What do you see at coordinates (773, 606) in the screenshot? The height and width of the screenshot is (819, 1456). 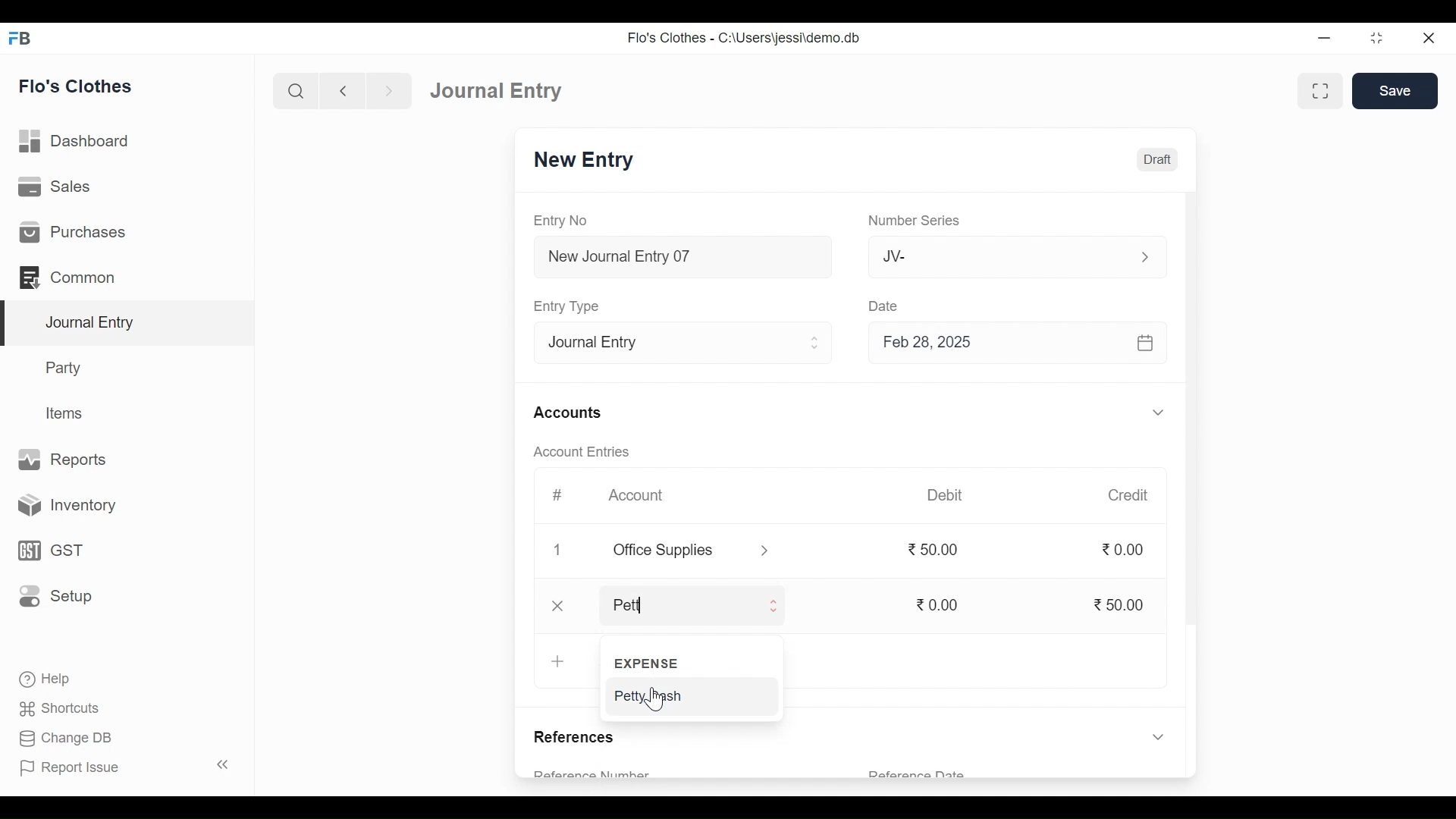 I see `Expand` at bounding box center [773, 606].